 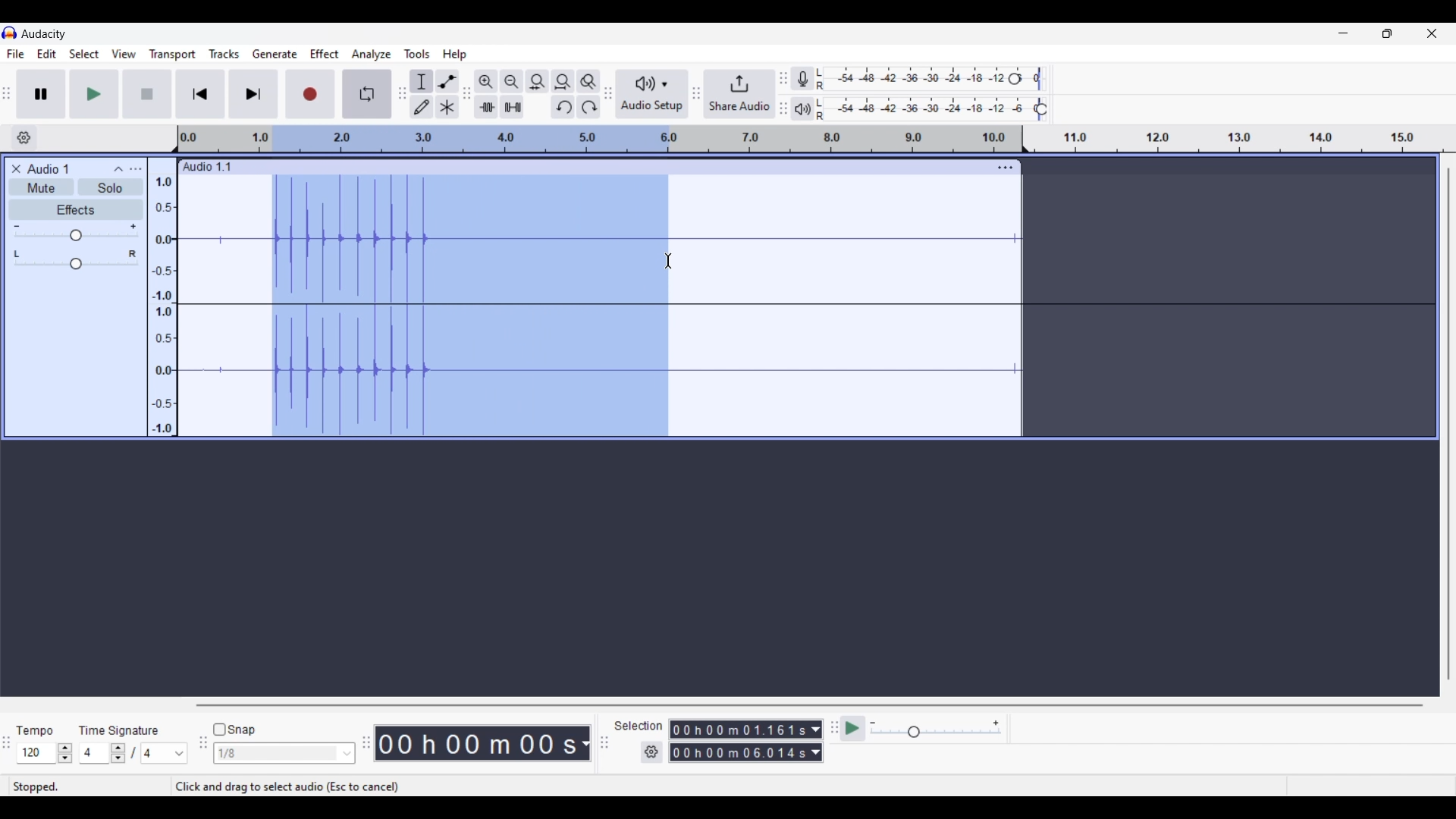 What do you see at coordinates (485, 80) in the screenshot?
I see `Zoom in` at bounding box center [485, 80].